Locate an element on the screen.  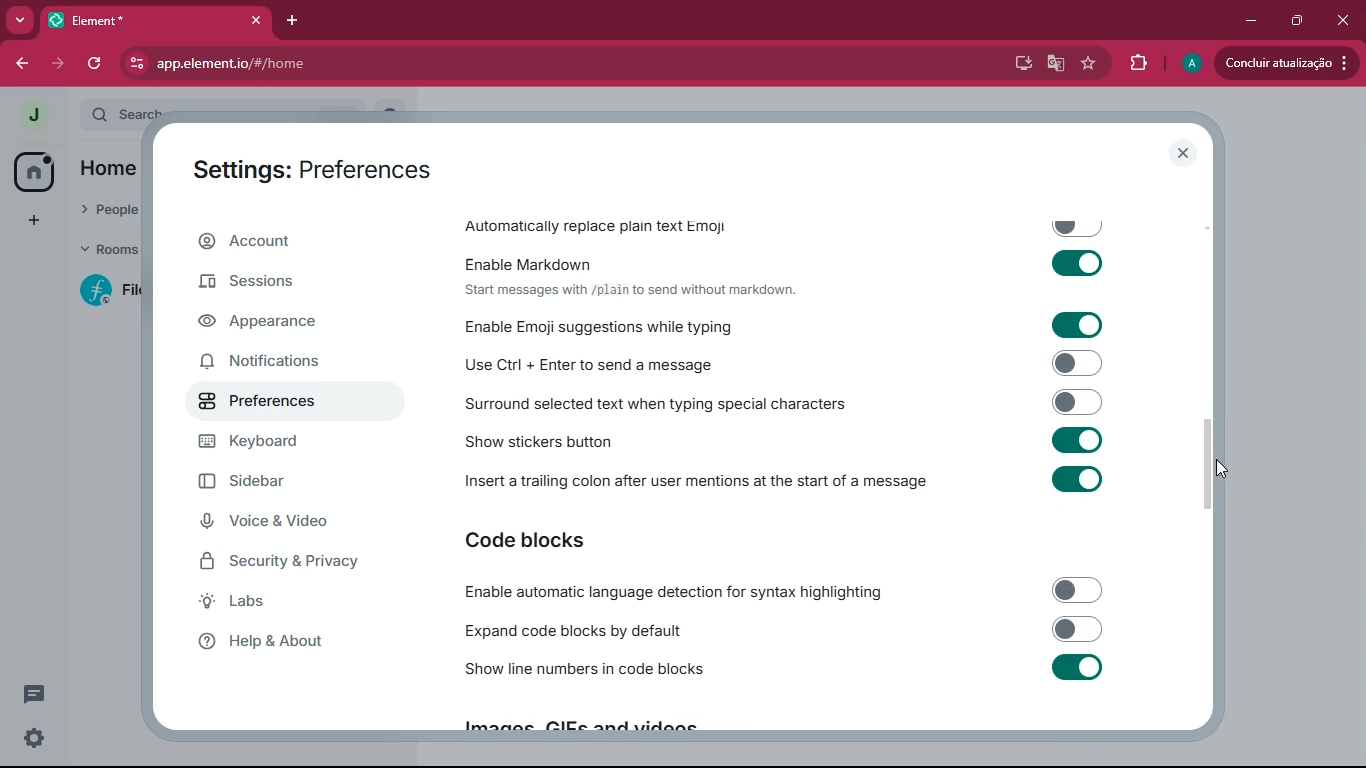
security & Privacy is located at coordinates (310, 563).